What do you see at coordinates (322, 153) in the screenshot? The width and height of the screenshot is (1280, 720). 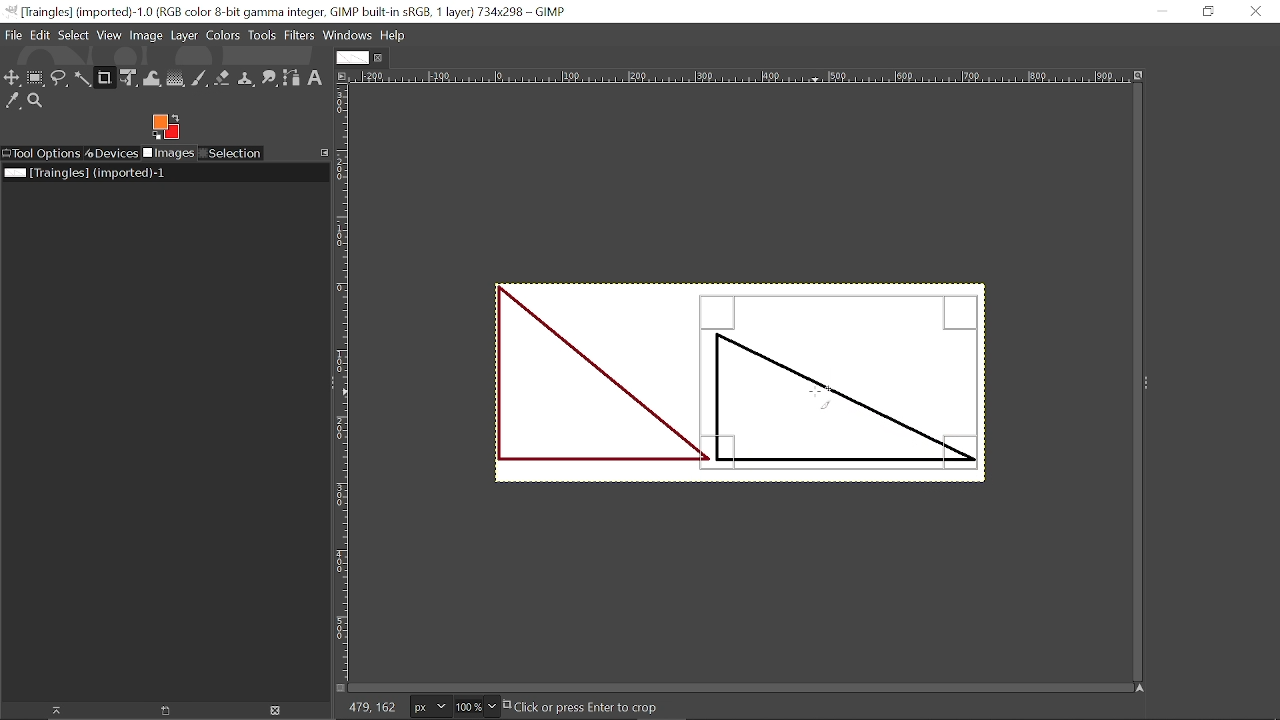 I see `Configure this tab` at bounding box center [322, 153].